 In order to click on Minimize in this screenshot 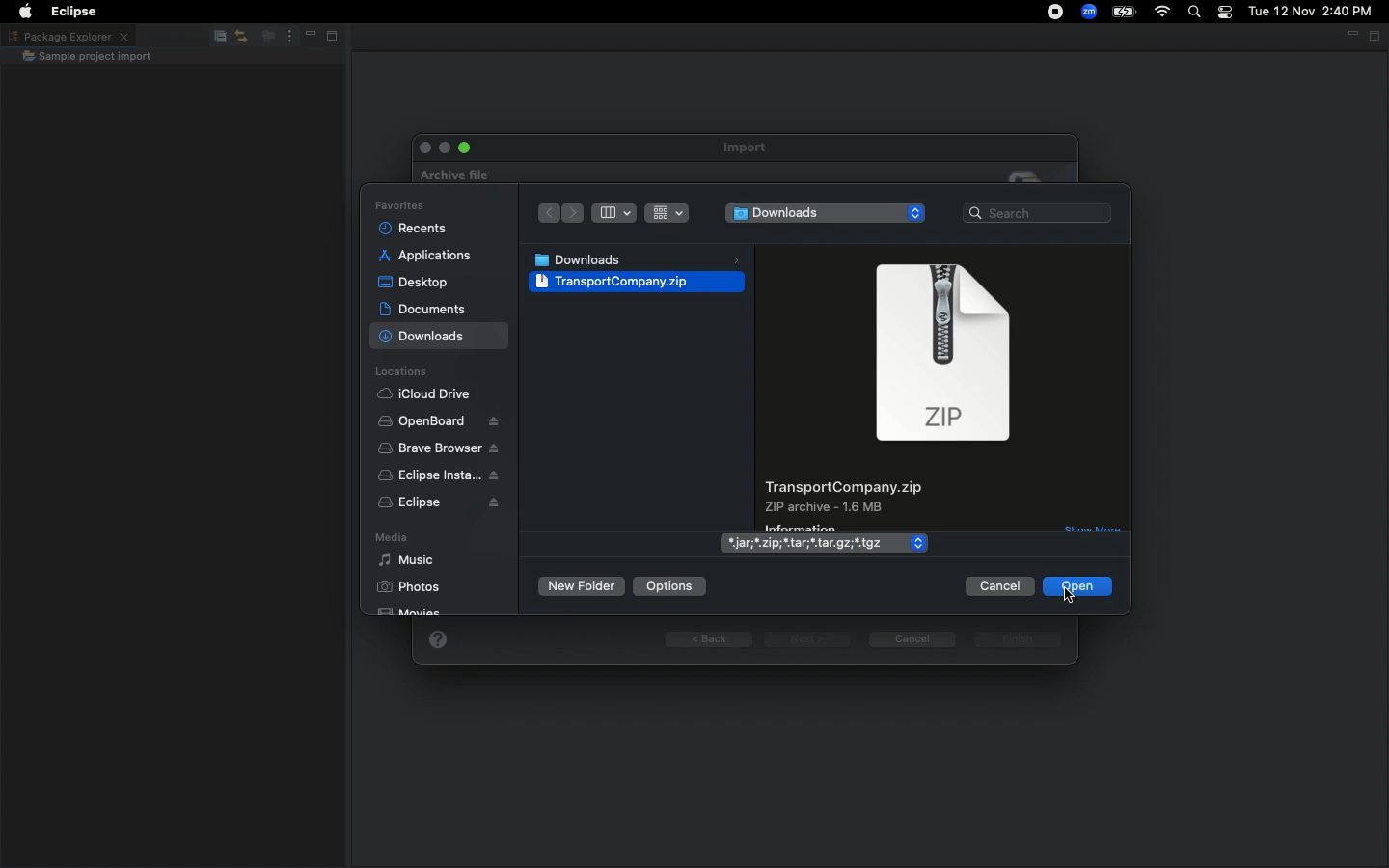, I will do `click(1350, 35)`.